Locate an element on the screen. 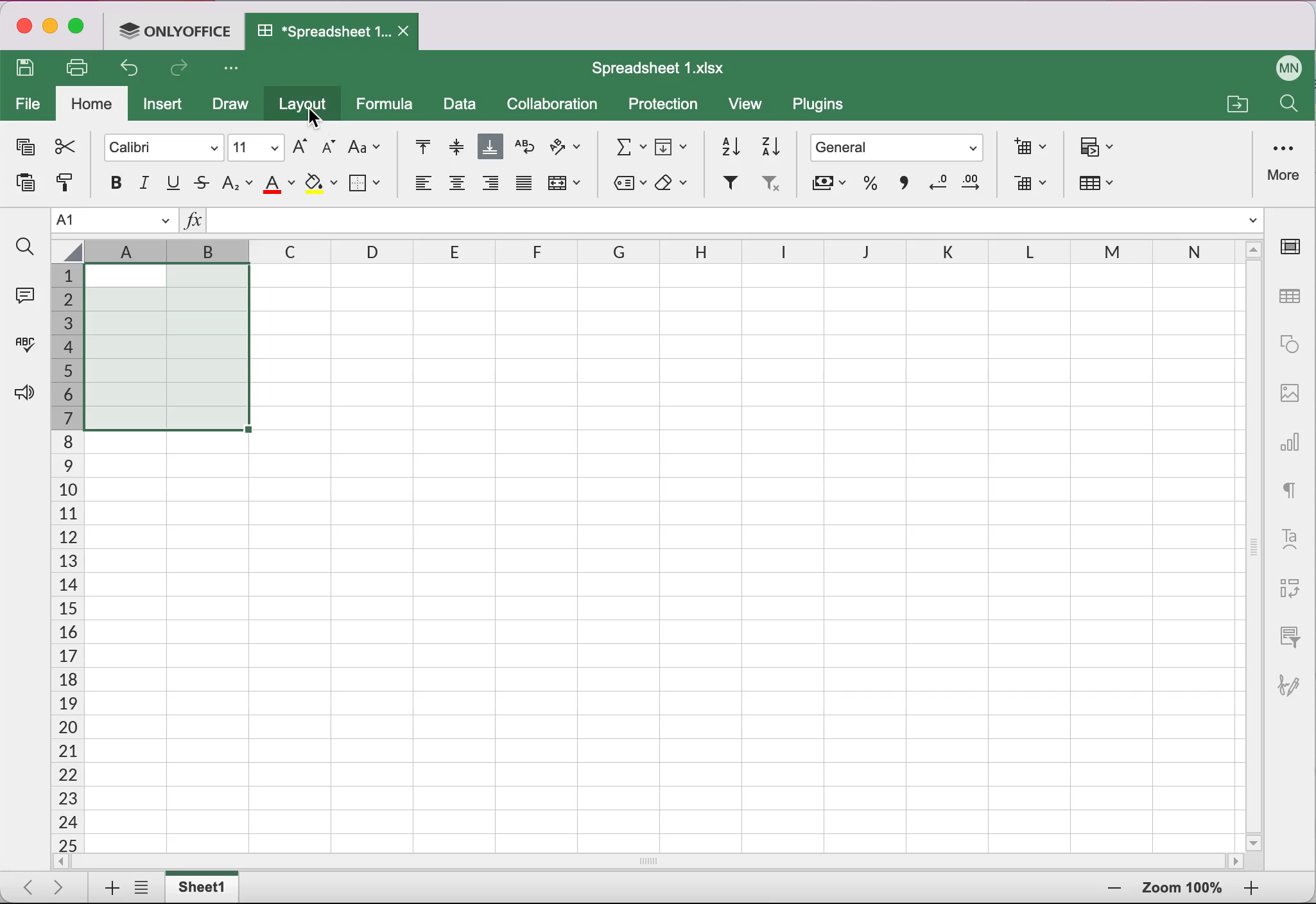  undo is located at coordinates (134, 71).